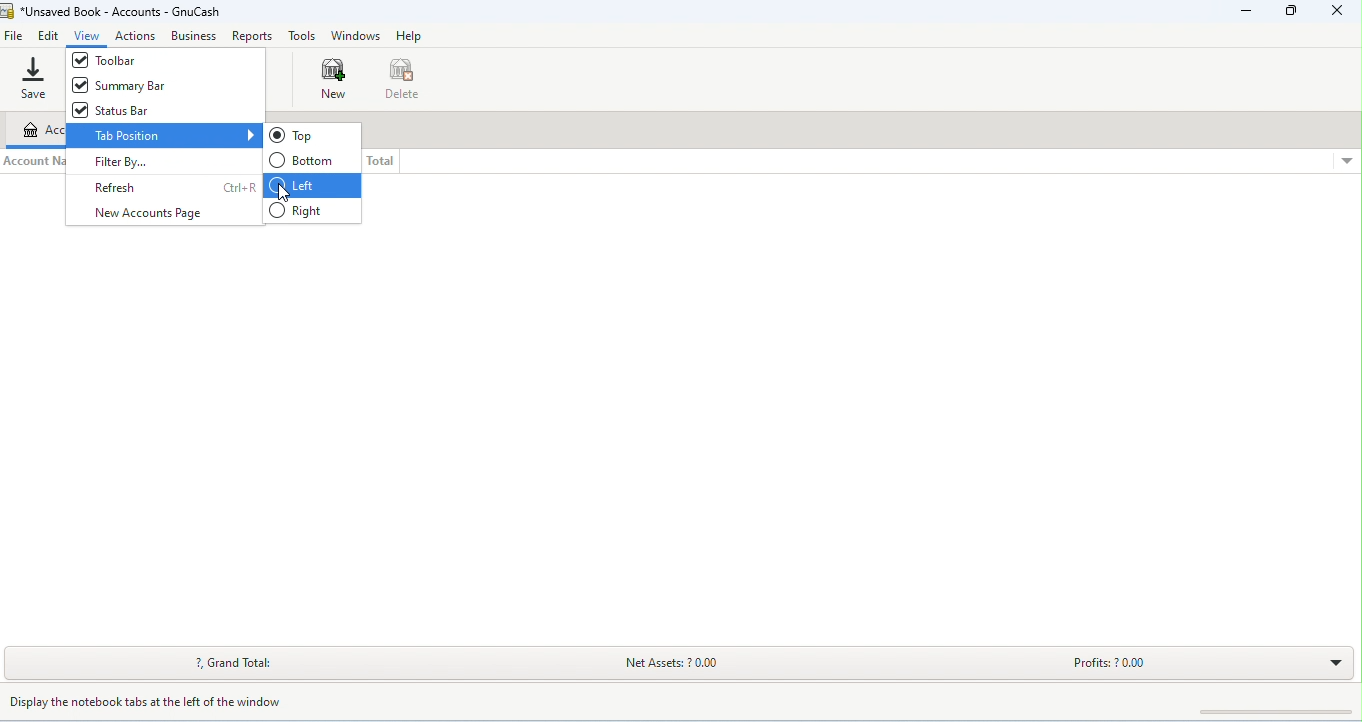  Describe the element at coordinates (14, 37) in the screenshot. I see `file` at that location.